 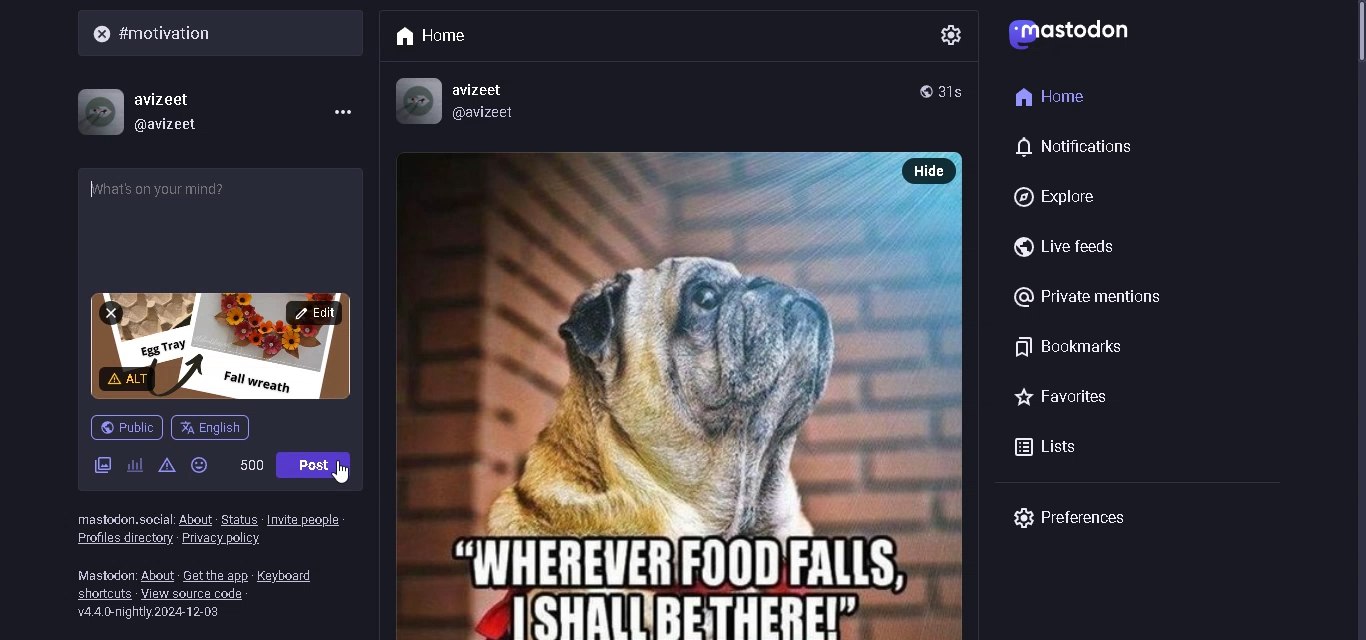 What do you see at coordinates (225, 210) in the screenshot?
I see `What's on your mind?` at bounding box center [225, 210].